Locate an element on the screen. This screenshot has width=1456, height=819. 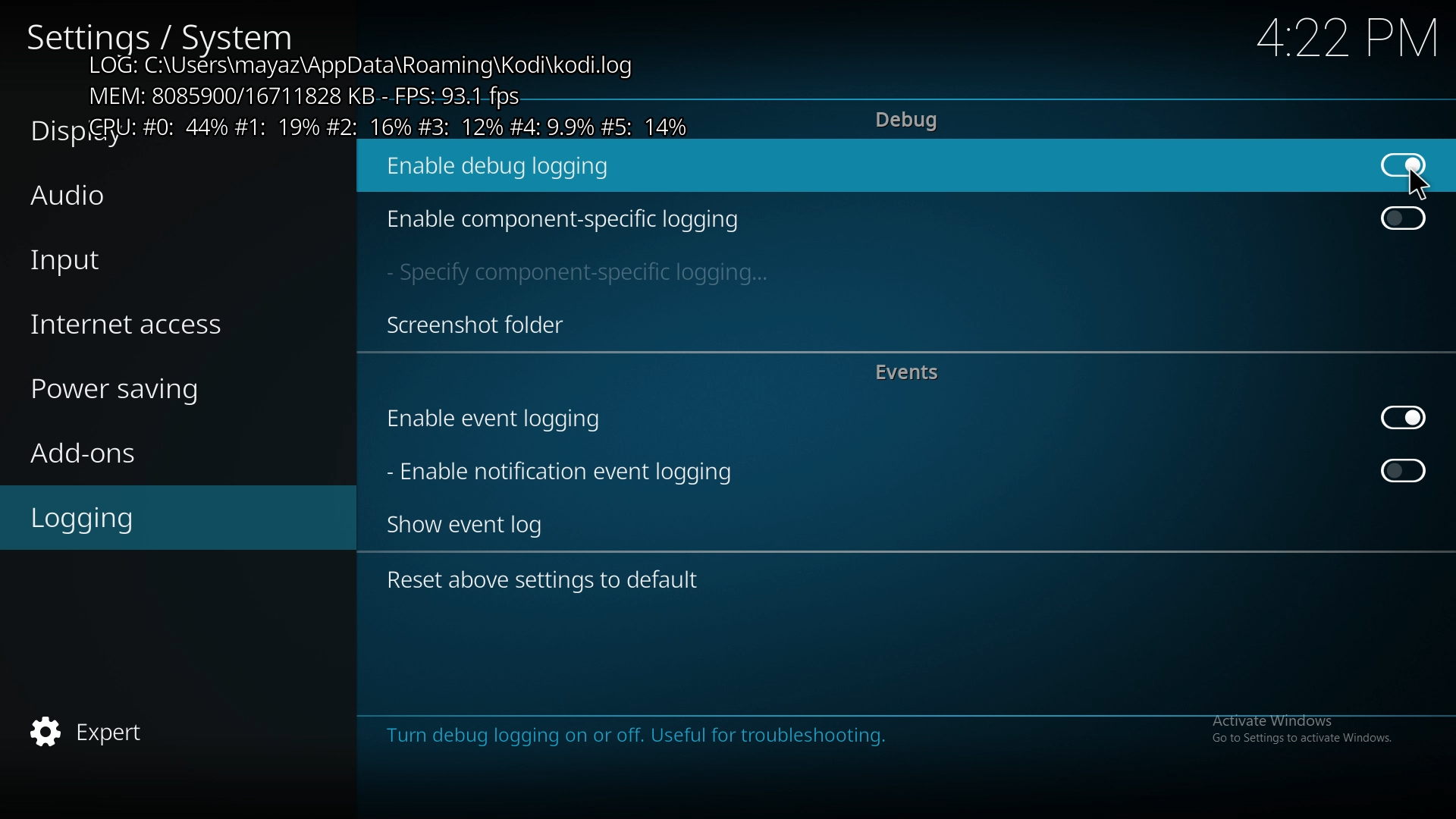
info is located at coordinates (899, 748).